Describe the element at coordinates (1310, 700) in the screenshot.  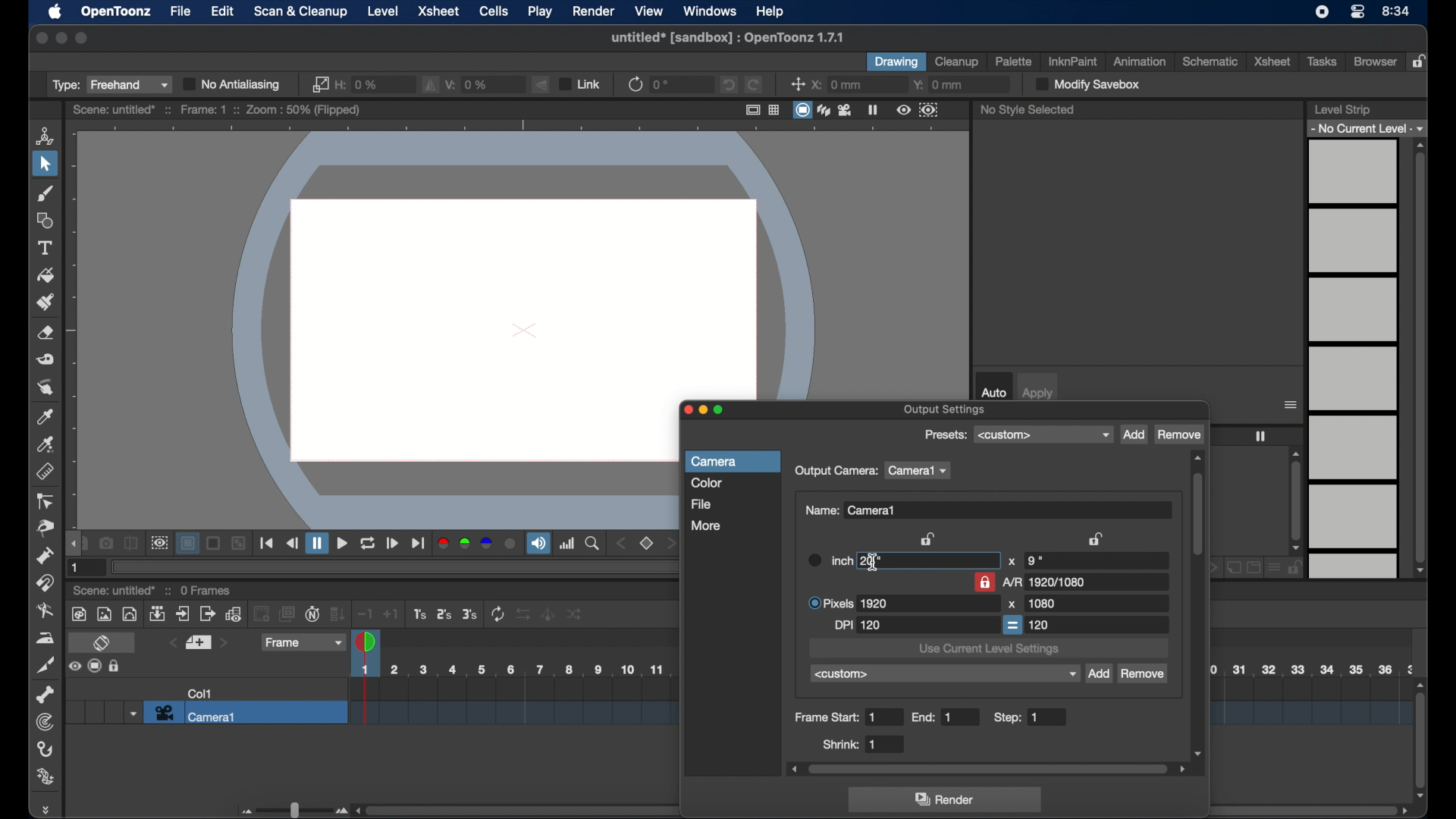
I see `scene scale` at that location.